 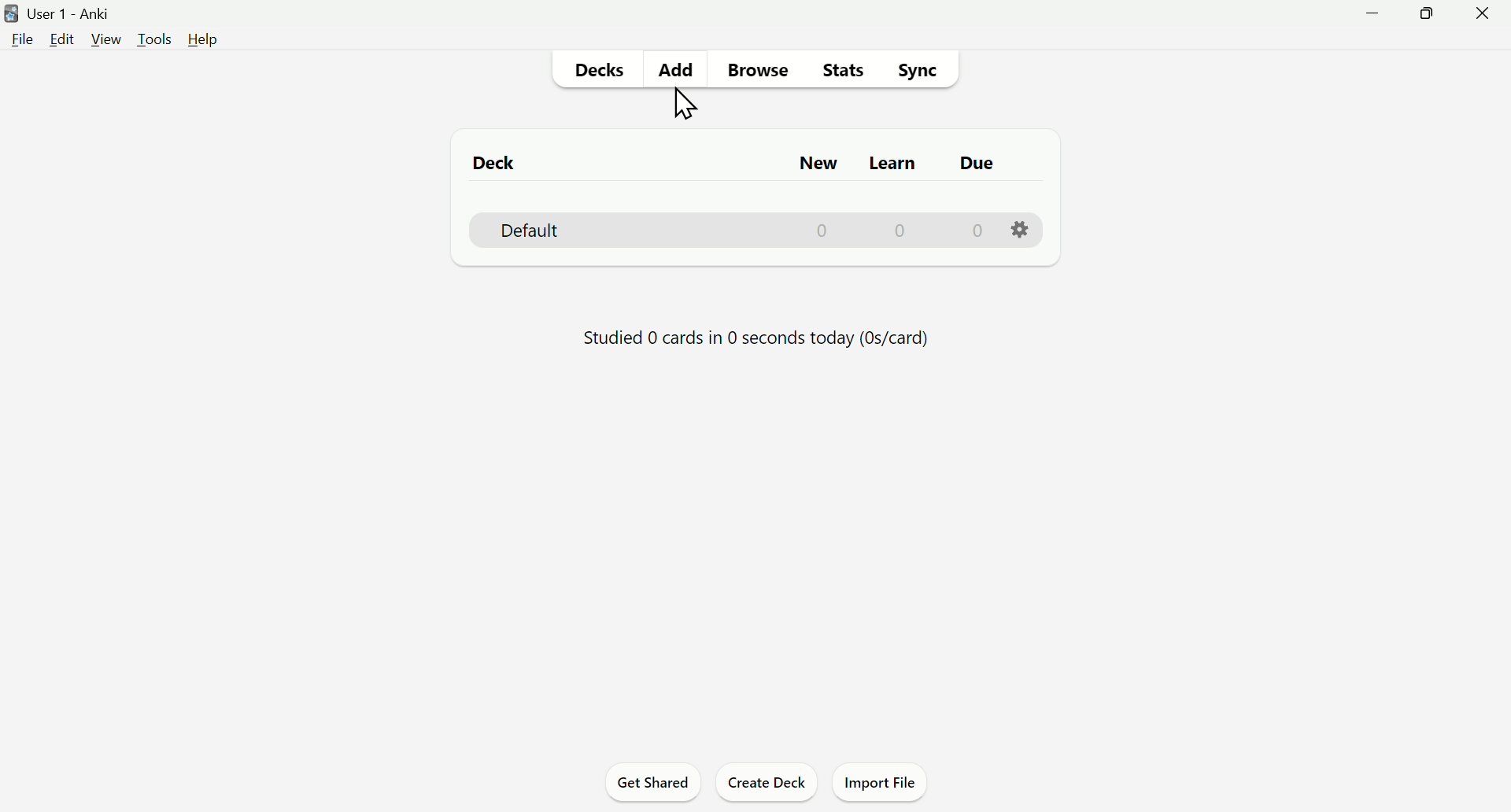 What do you see at coordinates (1481, 12) in the screenshot?
I see `Close` at bounding box center [1481, 12].